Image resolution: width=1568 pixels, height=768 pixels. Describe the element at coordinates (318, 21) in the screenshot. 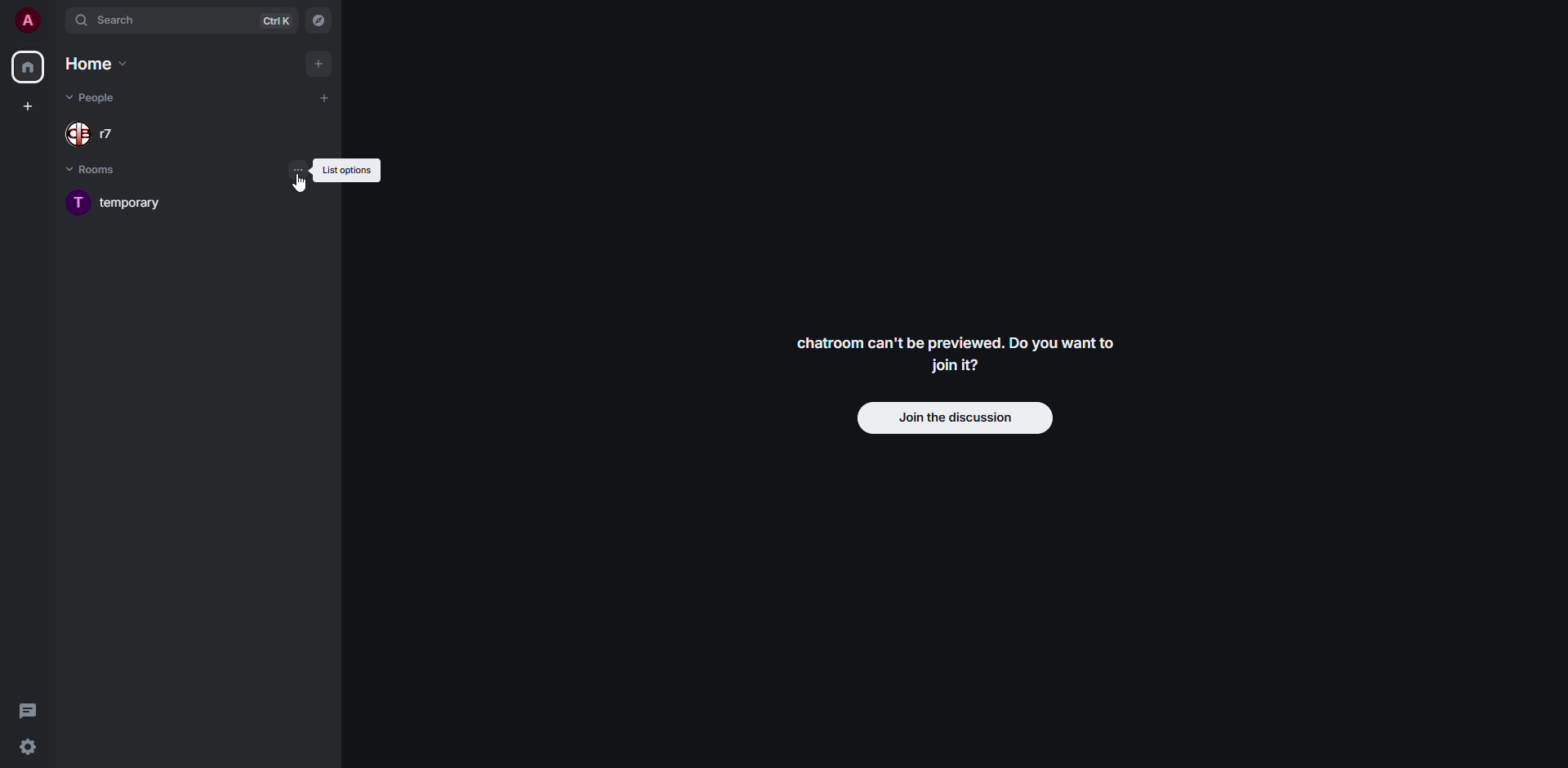

I see `navigator` at that location.